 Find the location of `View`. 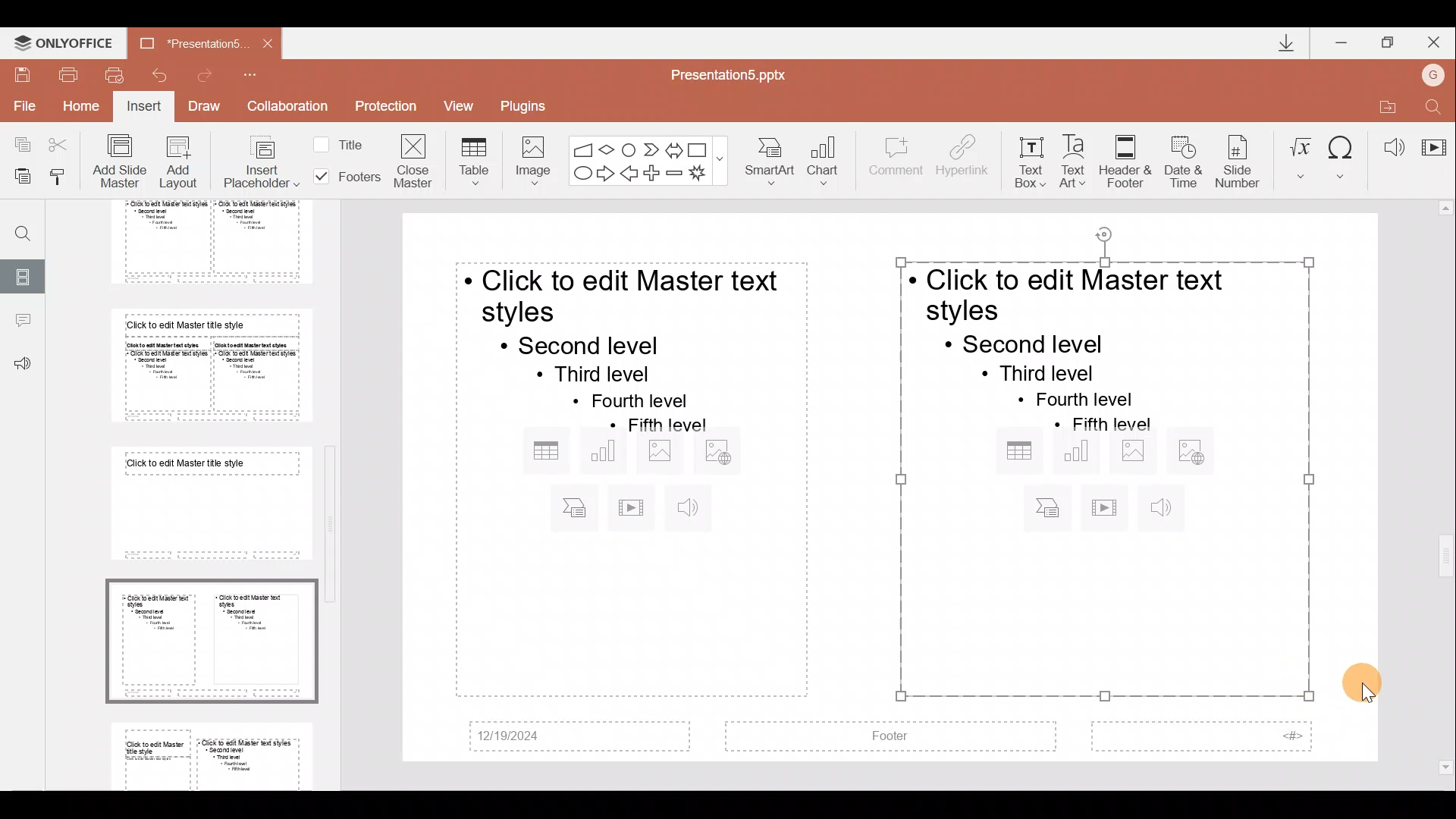

View is located at coordinates (464, 105).